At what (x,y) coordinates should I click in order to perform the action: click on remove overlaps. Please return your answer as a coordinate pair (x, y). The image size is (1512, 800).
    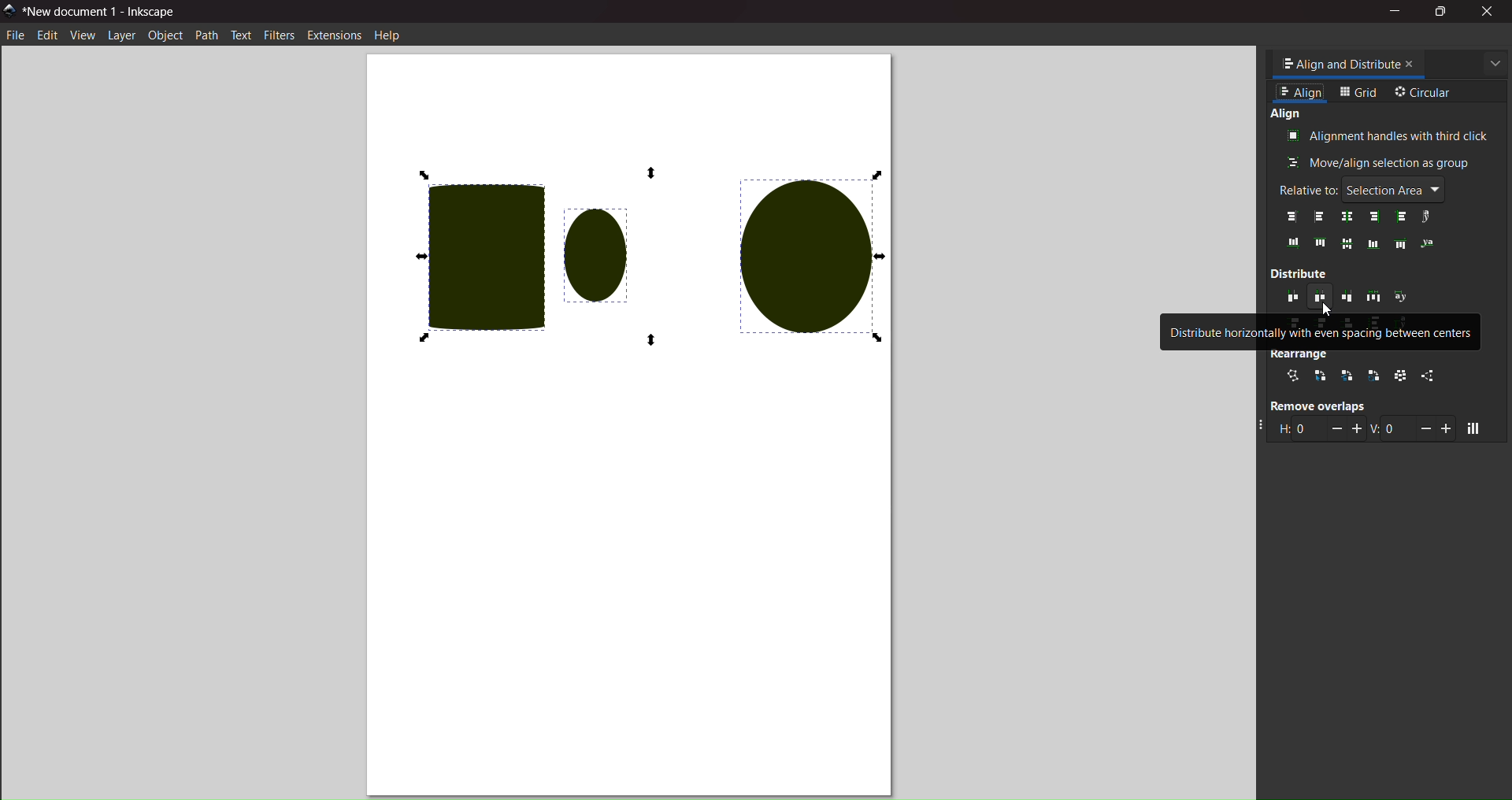
    Looking at the image, I should click on (1313, 405).